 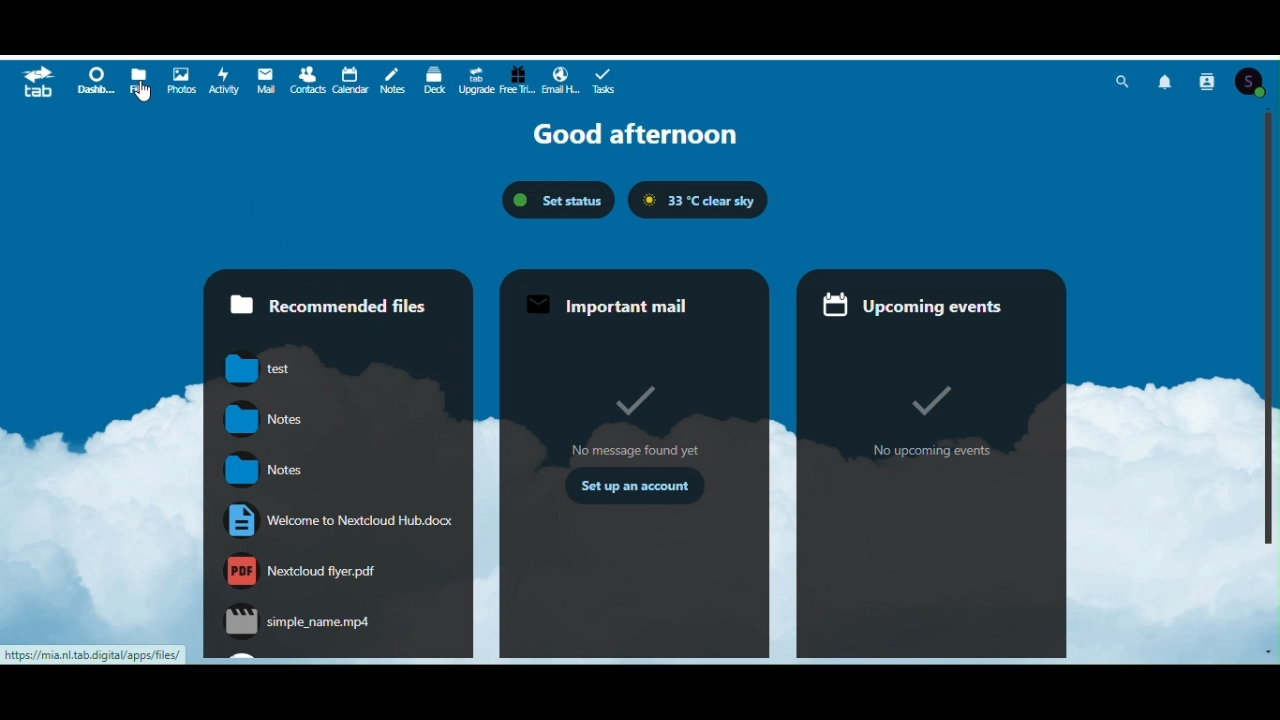 I want to click on Free trial, so click(x=518, y=77).